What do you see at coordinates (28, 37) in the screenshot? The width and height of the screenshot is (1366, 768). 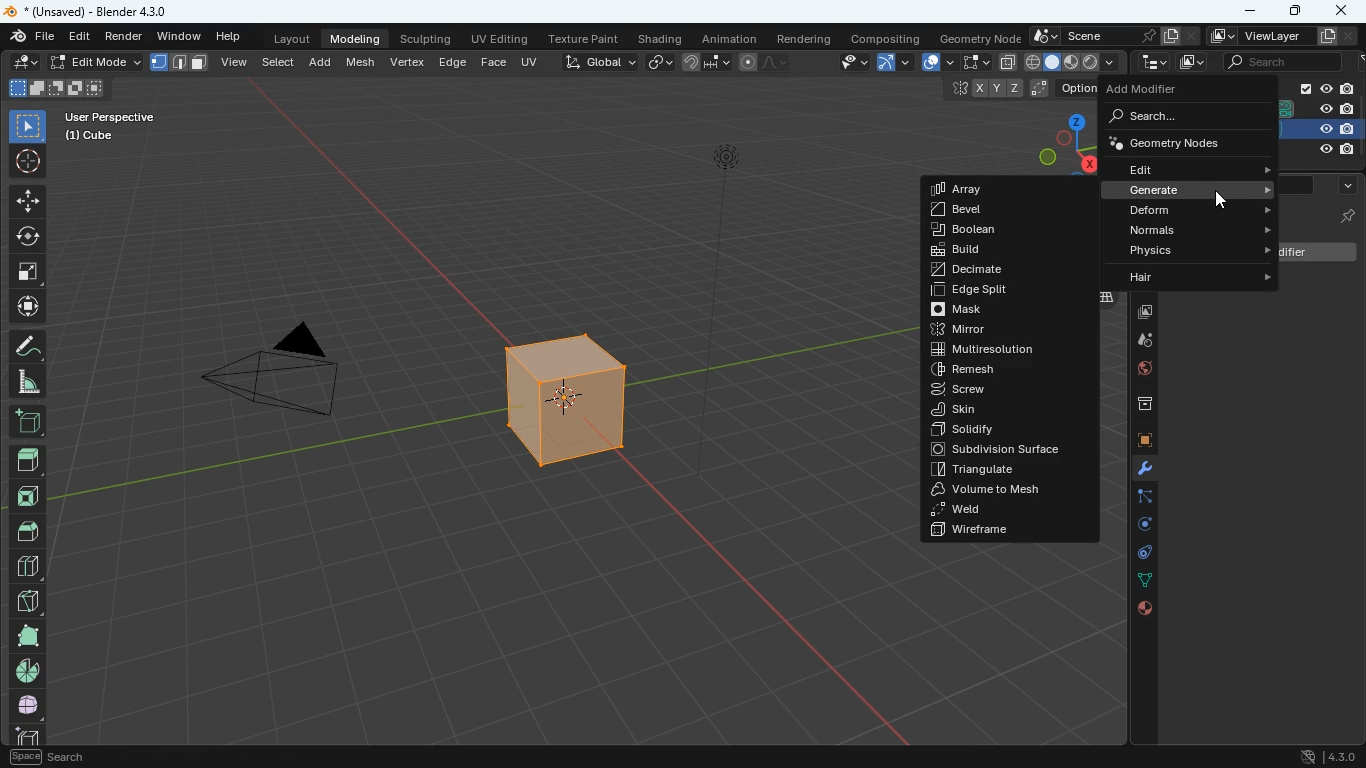 I see `file` at bounding box center [28, 37].